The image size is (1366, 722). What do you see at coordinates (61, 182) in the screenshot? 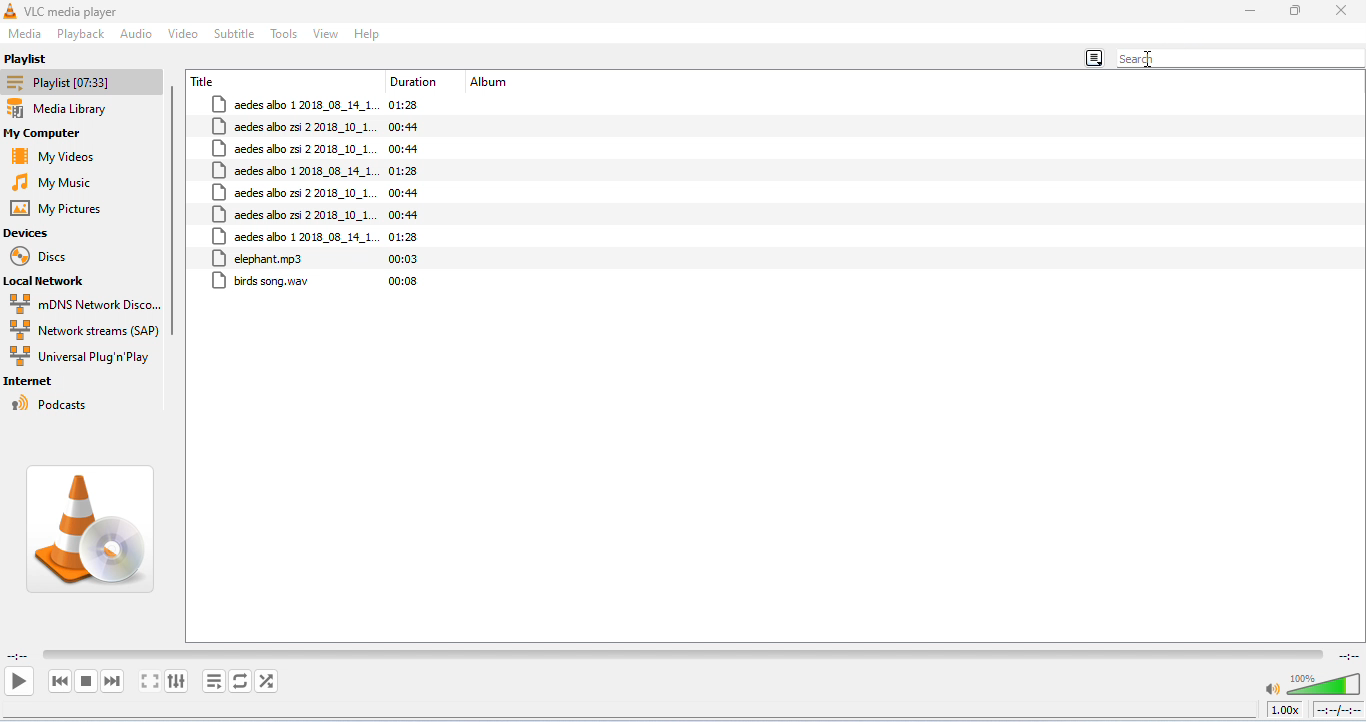
I see `my music` at bounding box center [61, 182].